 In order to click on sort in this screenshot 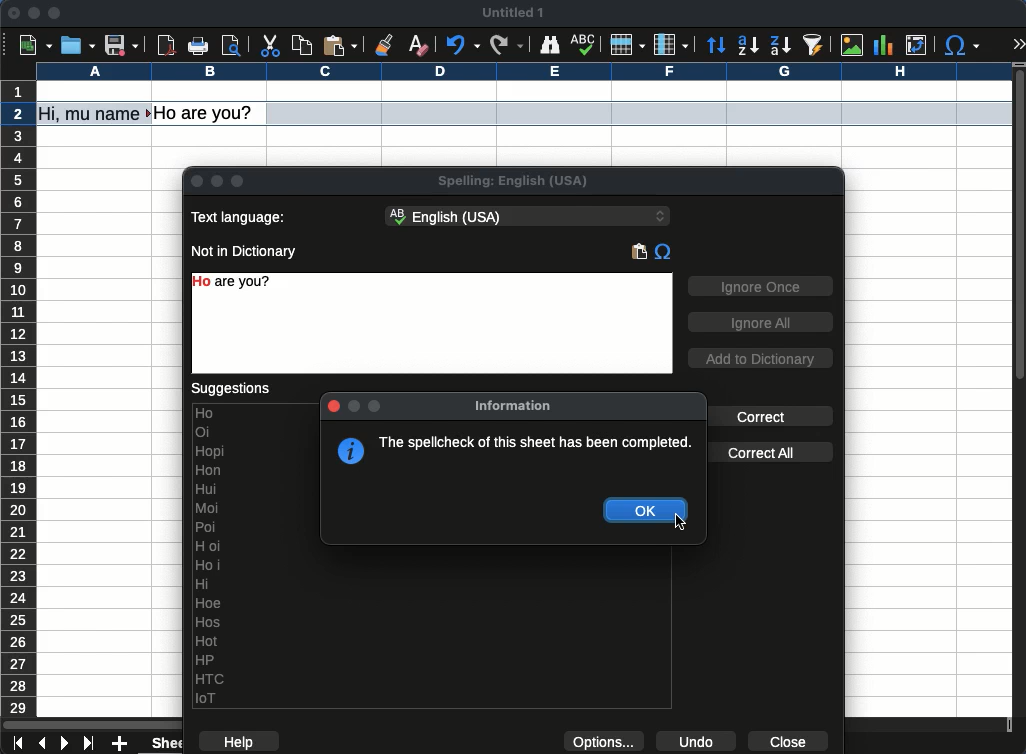, I will do `click(814, 45)`.